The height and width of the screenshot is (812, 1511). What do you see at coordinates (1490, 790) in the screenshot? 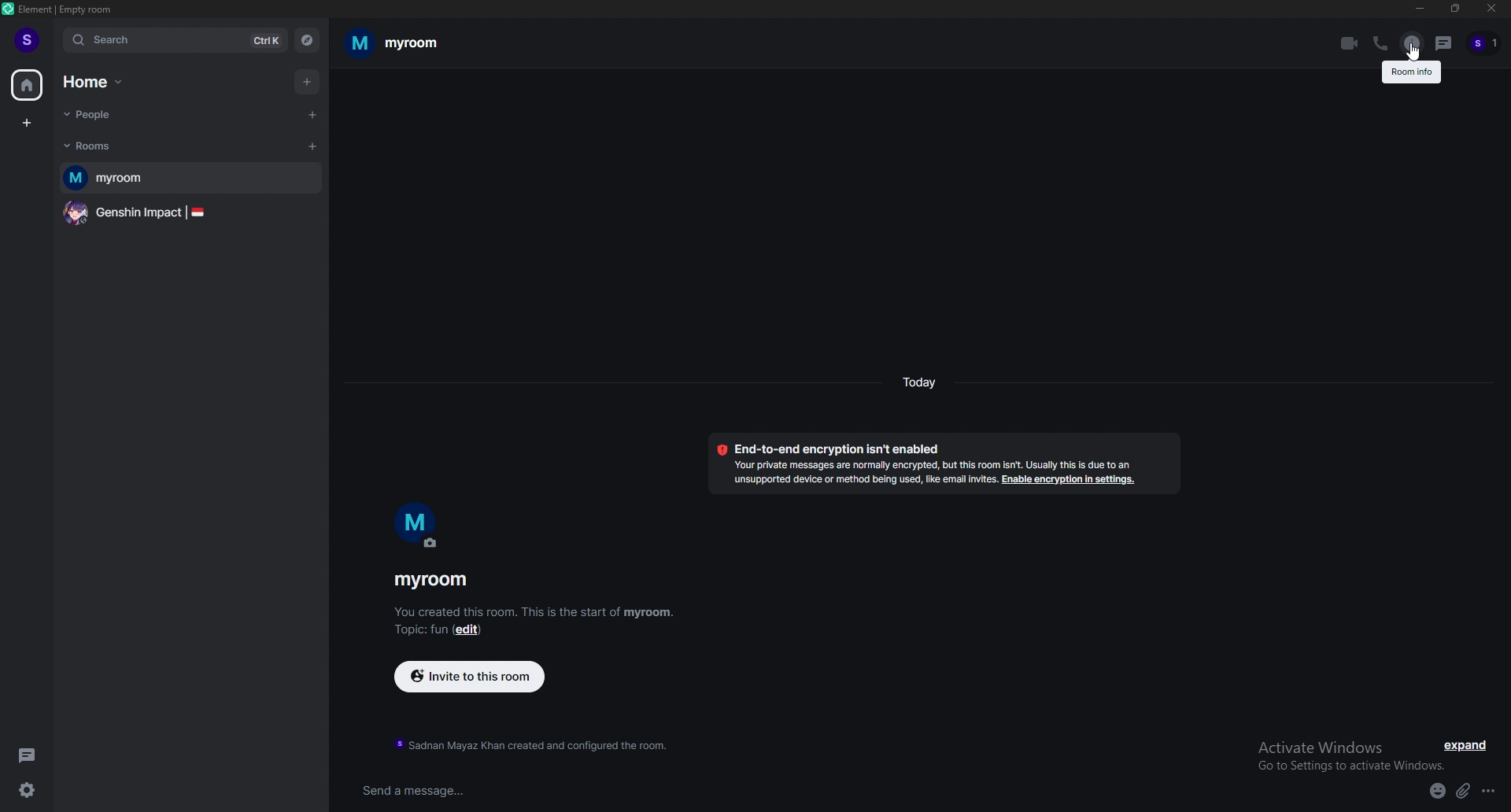
I see `more options` at bounding box center [1490, 790].